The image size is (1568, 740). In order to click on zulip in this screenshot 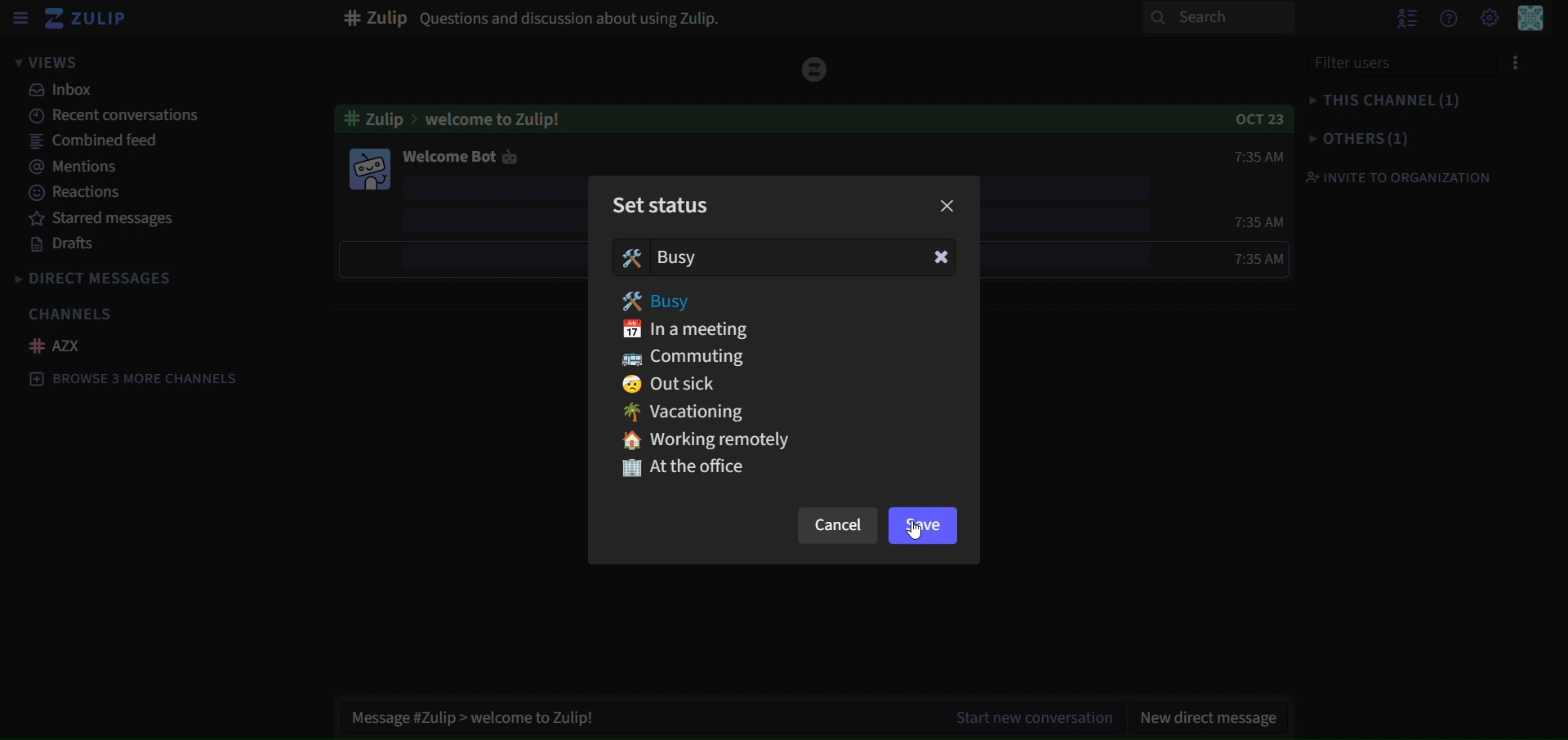, I will do `click(87, 20)`.